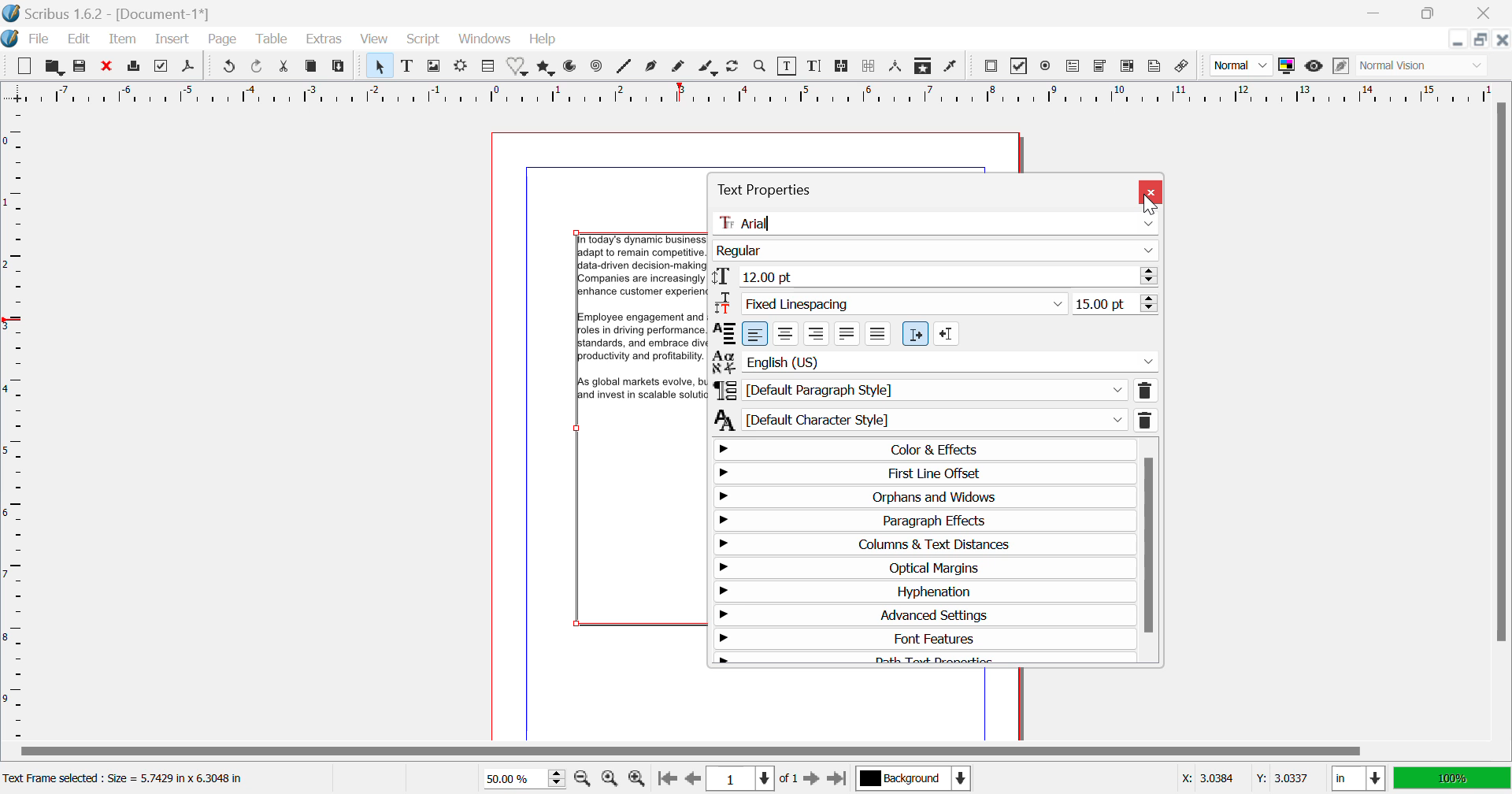  What do you see at coordinates (1314, 66) in the screenshot?
I see `Preview` at bounding box center [1314, 66].